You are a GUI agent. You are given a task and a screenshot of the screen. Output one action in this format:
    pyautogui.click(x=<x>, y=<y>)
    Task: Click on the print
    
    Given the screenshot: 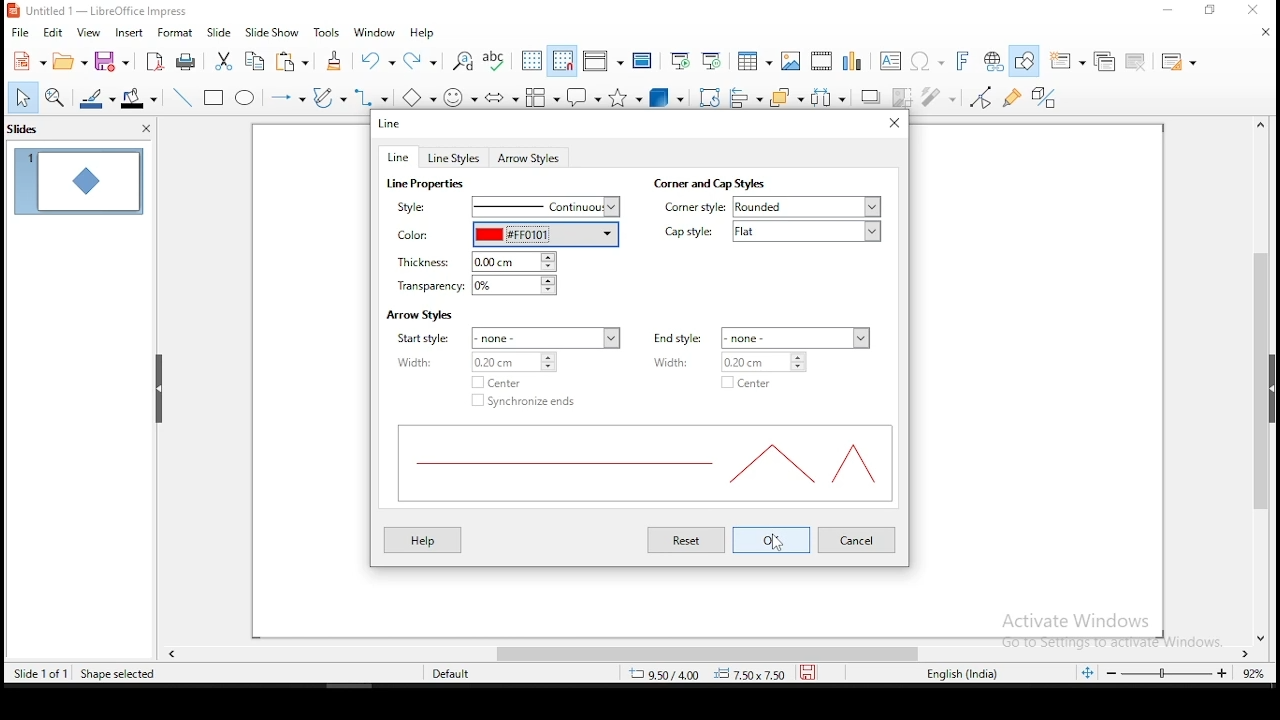 What is the action you would take?
    pyautogui.click(x=187, y=60)
    